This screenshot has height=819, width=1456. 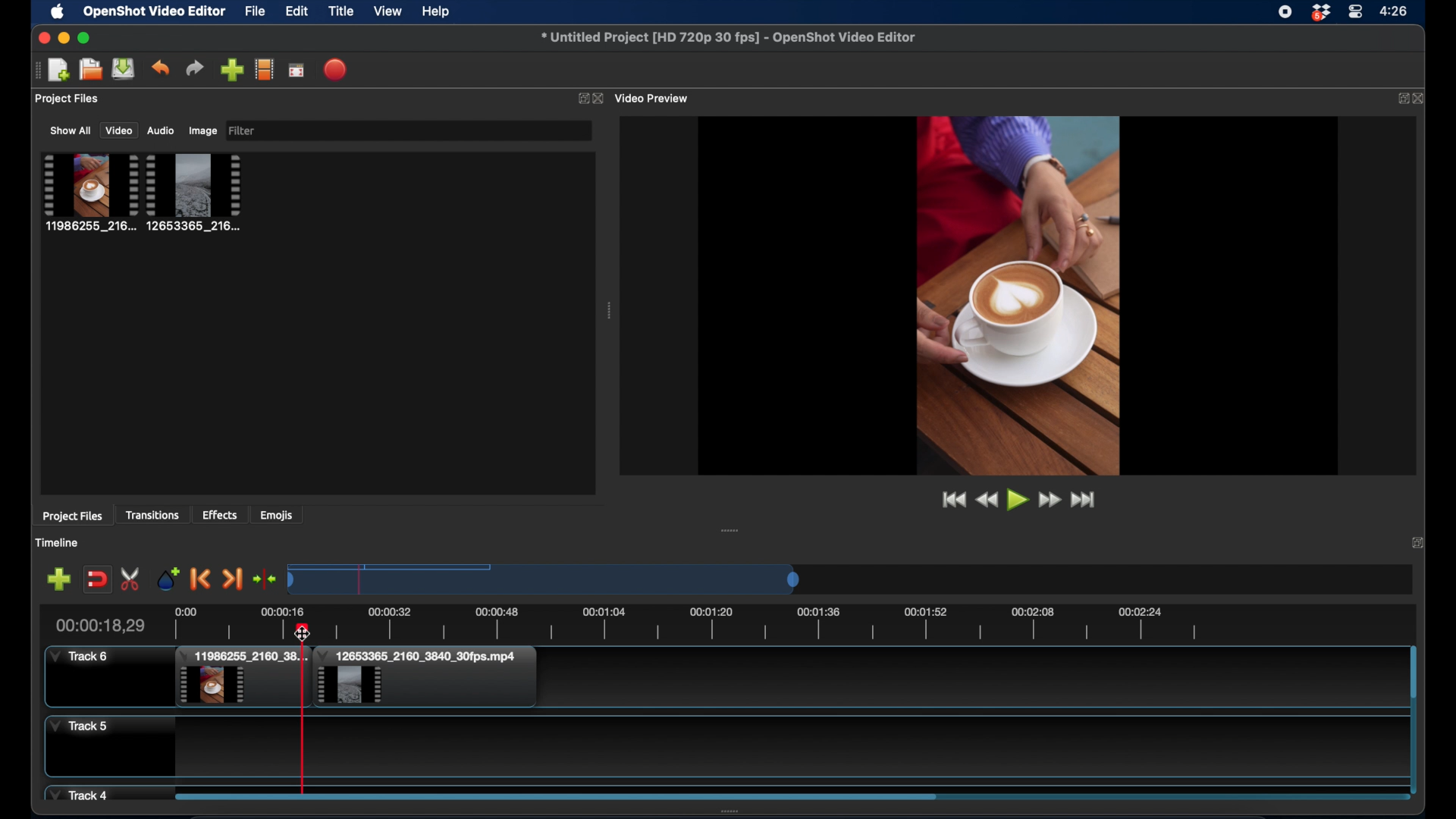 What do you see at coordinates (89, 70) in the screenshot?
I see `open project` at bounding box center [89, 70].